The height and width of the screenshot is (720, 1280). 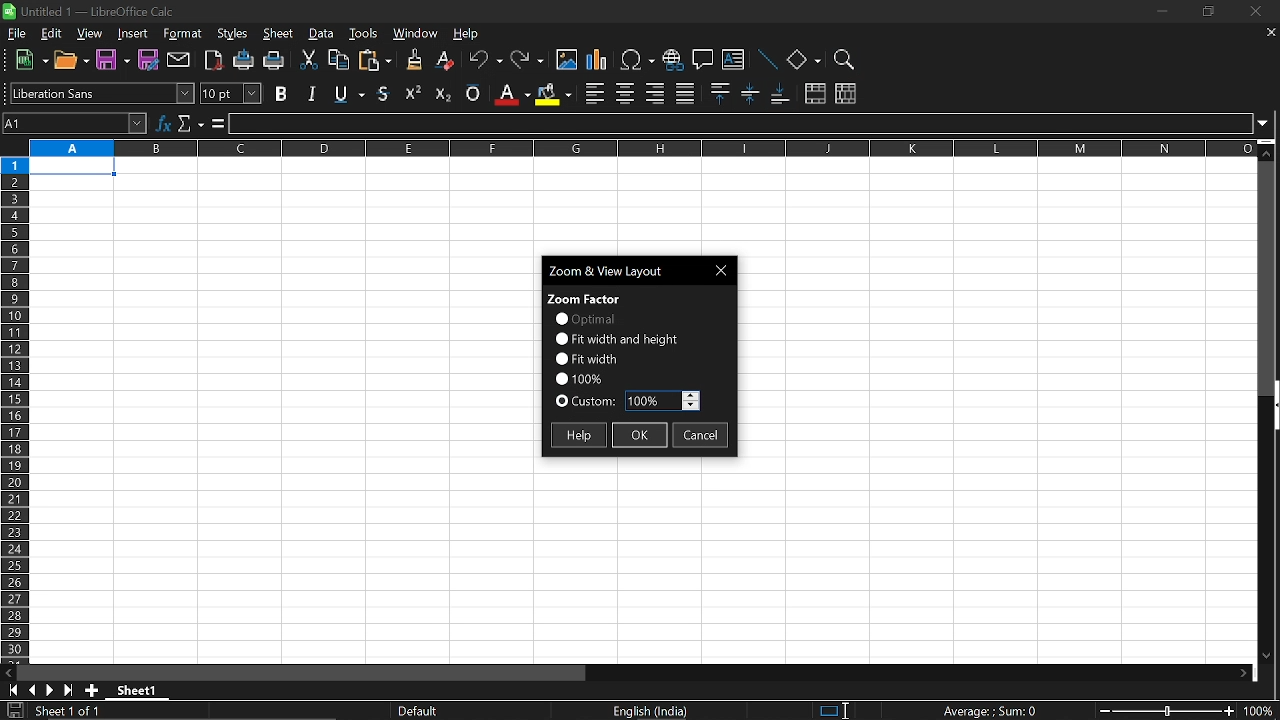 What do you see at coordinates (70, 691) in the screenshot?
I see `go to last page` at bounding box center [70, 691].